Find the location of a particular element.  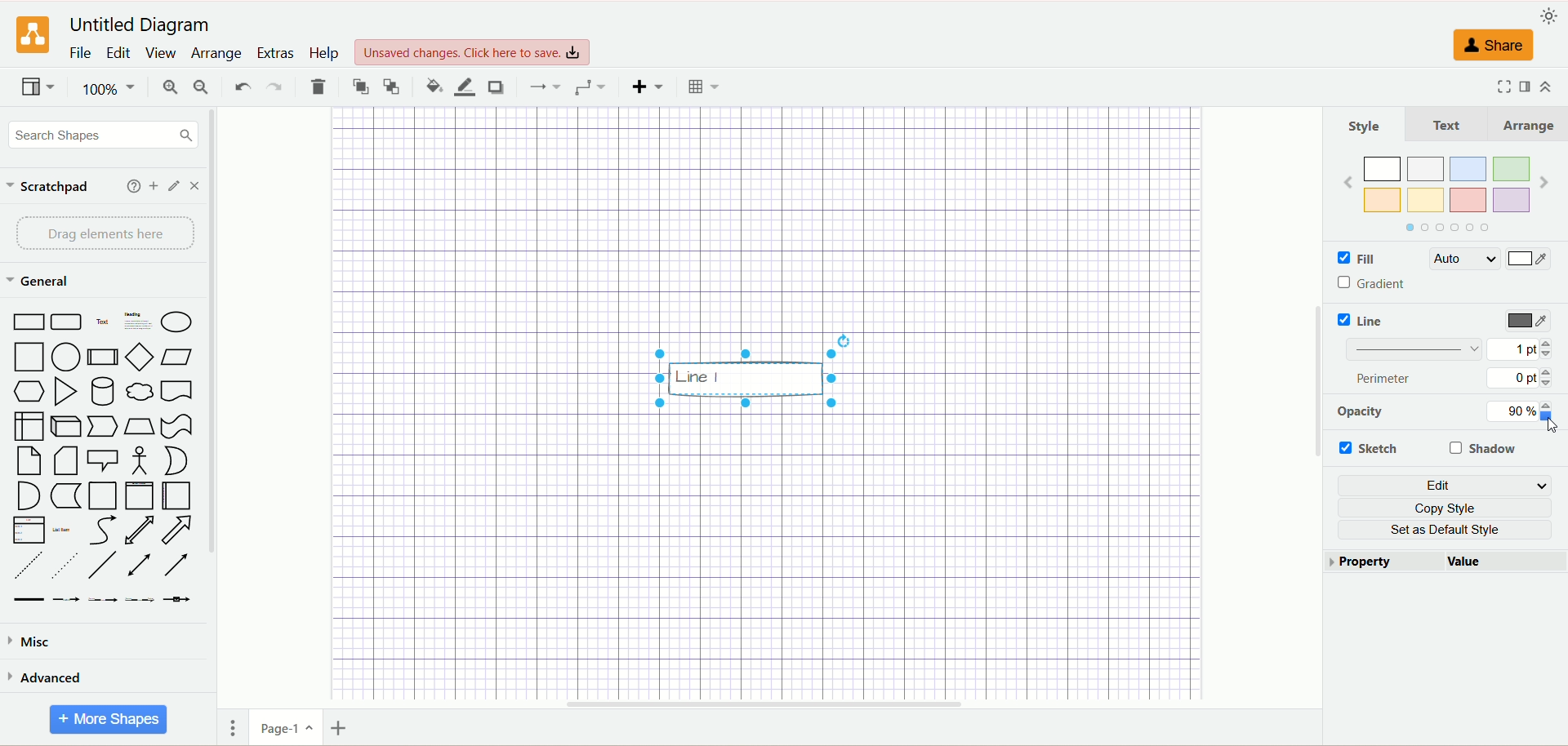

Rectangle is located at coordinates (27, 322).